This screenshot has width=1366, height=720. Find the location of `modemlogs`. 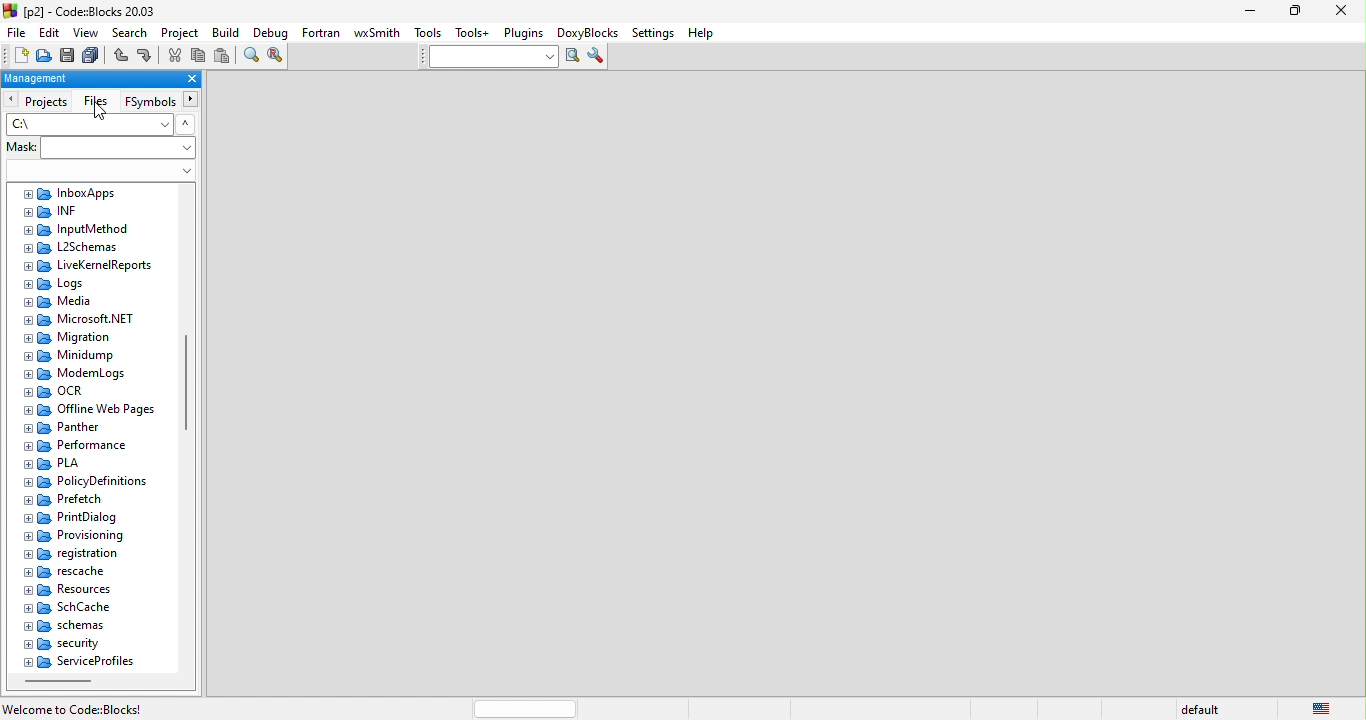

modemlogs is located at coordinates (93, 373).